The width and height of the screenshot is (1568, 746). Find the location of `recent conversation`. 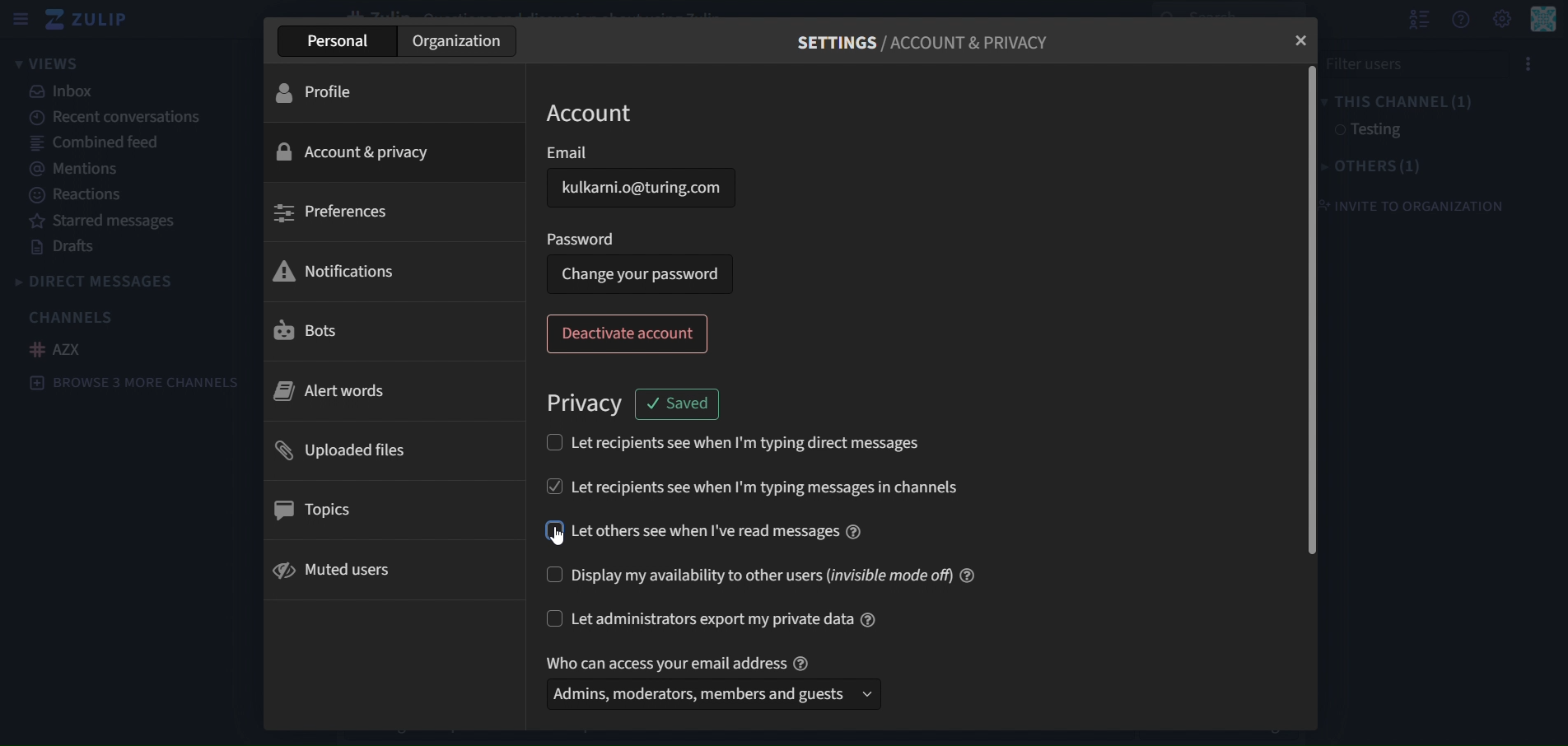

recent conversation is located at coordinates (122, 118).